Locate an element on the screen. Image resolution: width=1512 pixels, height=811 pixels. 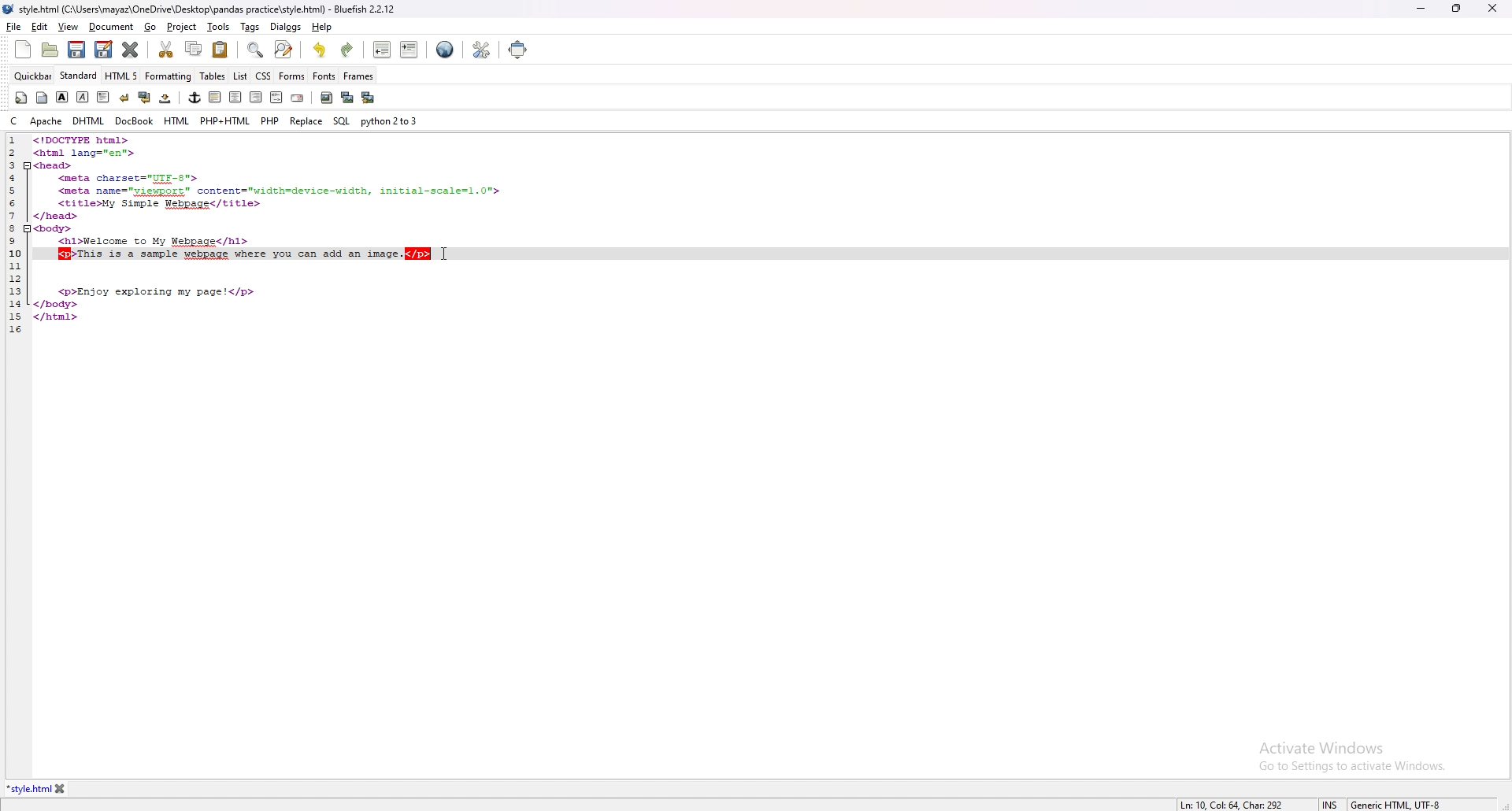
email is located at coordinates (299, 98).